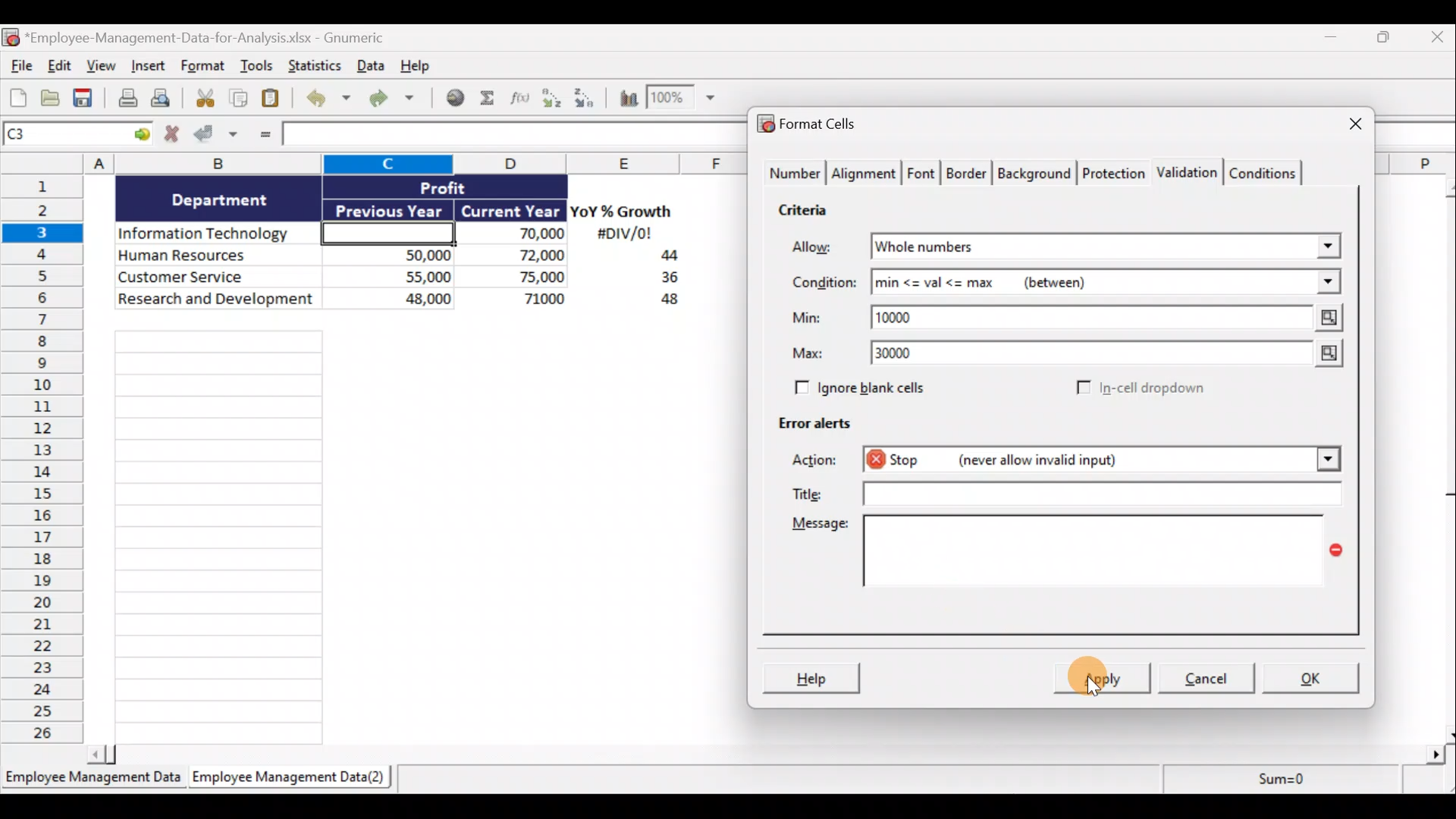 The height and width of the screenshot is (819, 1456). I want to click on Actions, so click(823, 462).